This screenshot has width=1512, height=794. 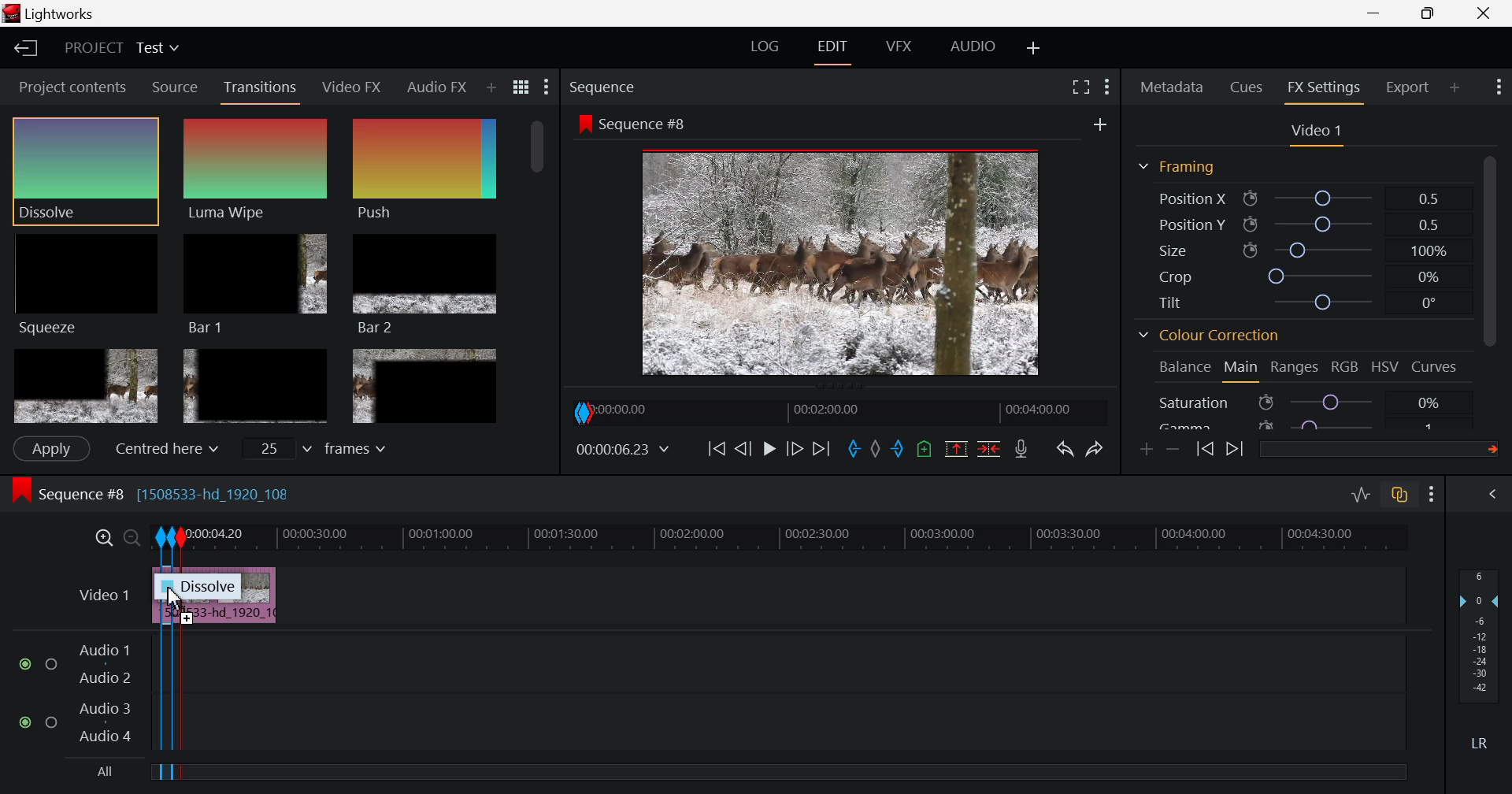 I want to click on Project Timeline, so click(x=859, y=537).